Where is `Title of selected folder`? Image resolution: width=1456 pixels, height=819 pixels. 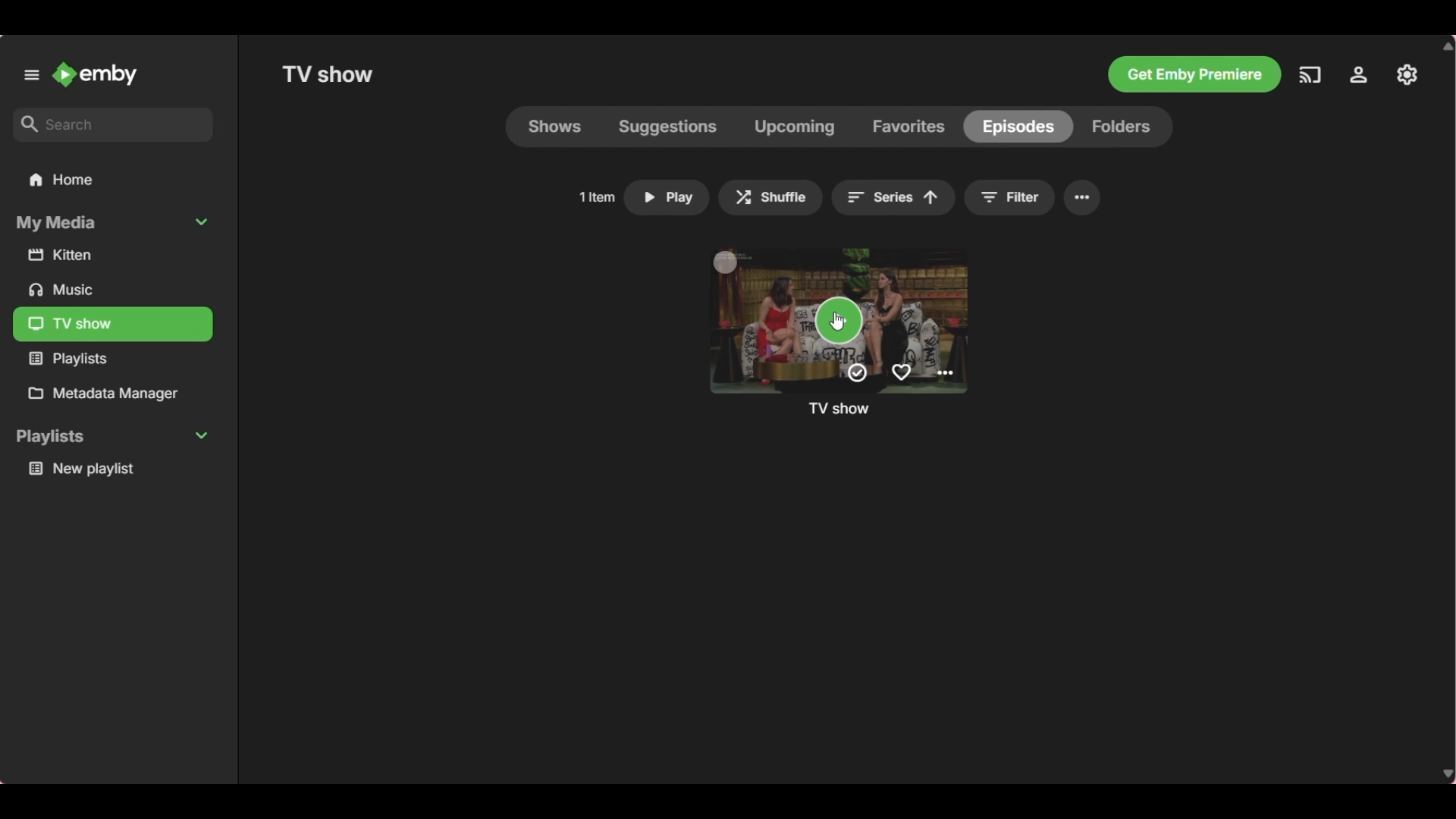 Title of selected folder is located at coordinates (328, 74).